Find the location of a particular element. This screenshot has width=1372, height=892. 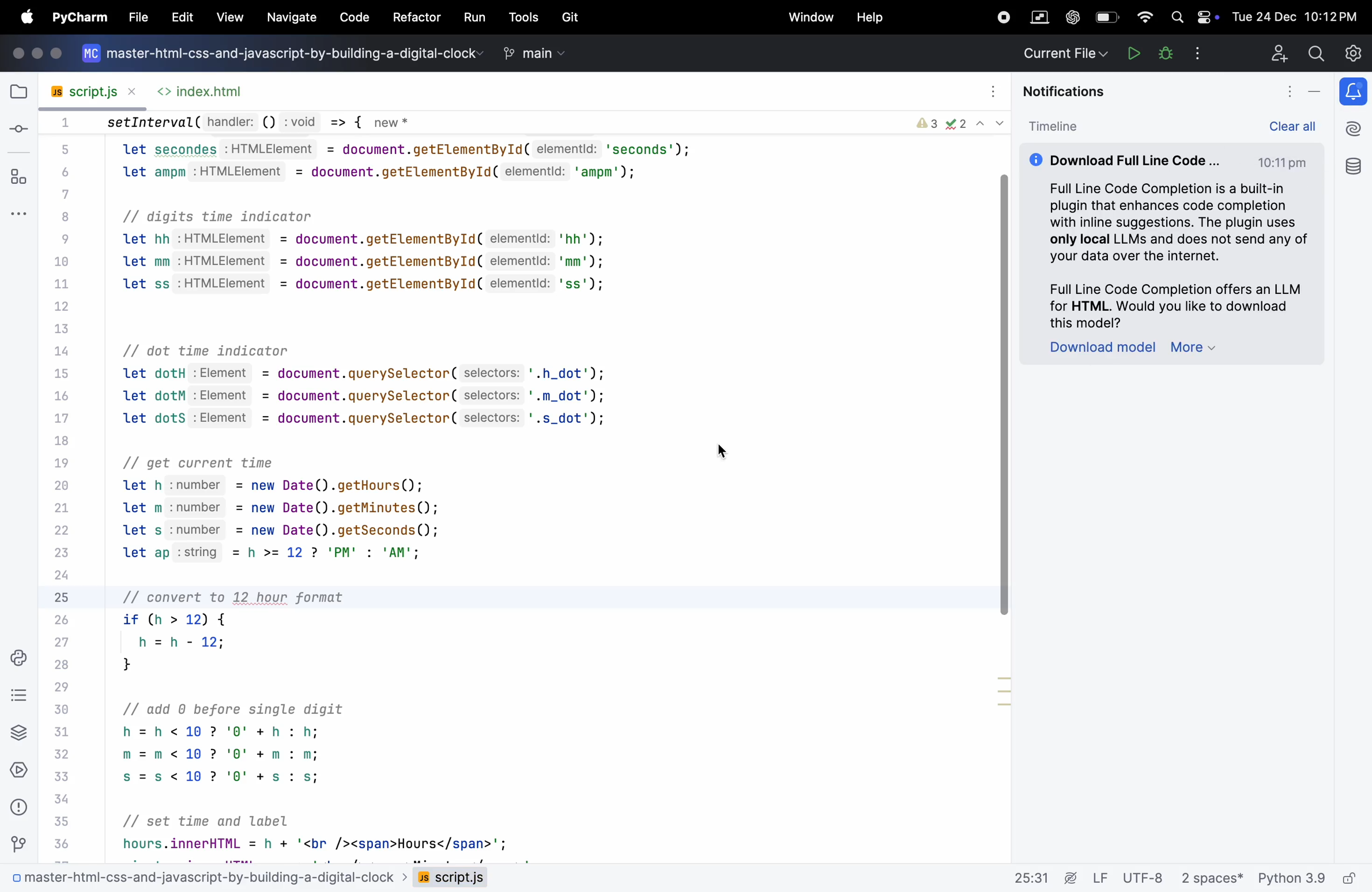

bugs is located at coordinates (1162, 54).